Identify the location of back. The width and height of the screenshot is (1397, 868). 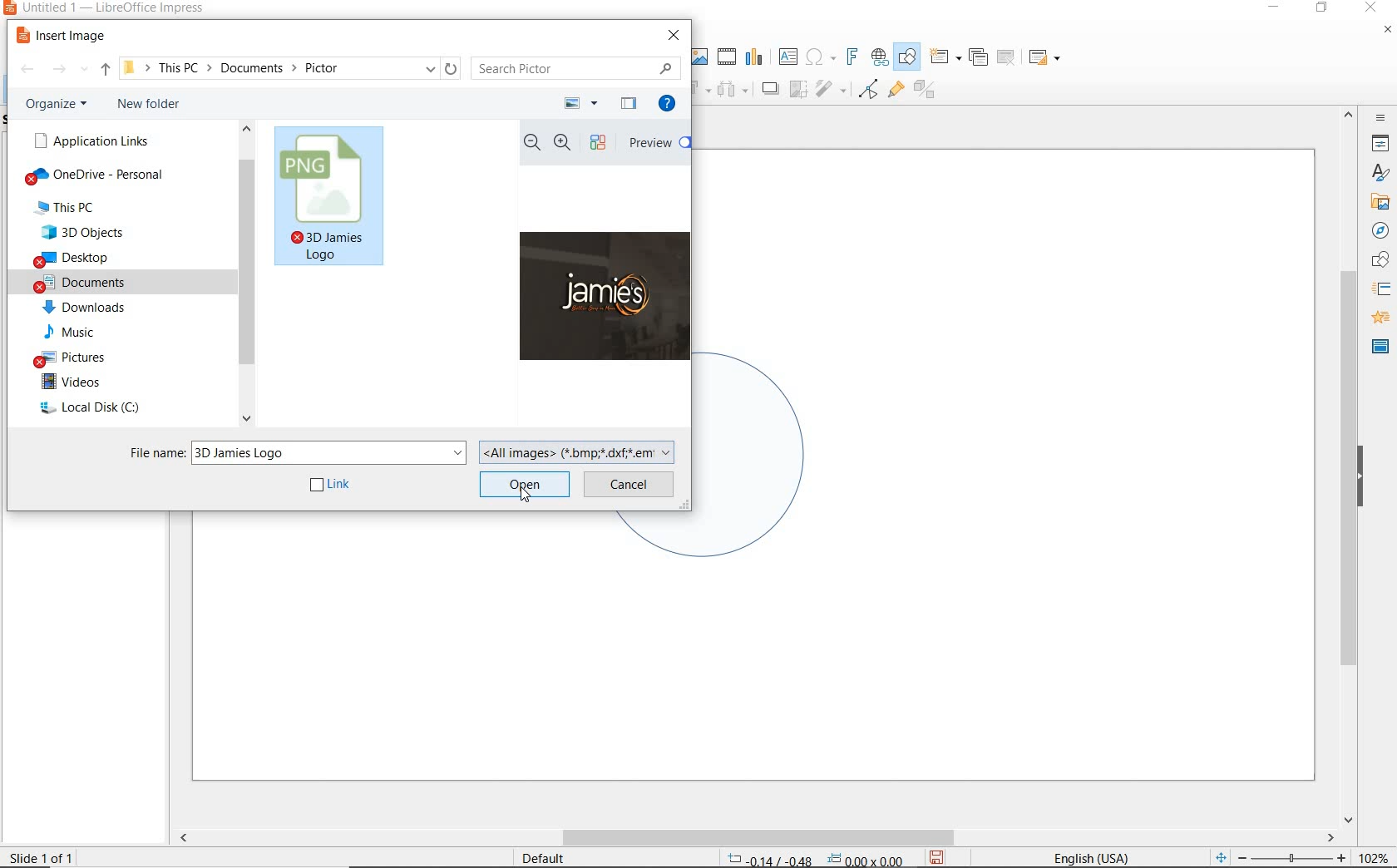
(27, 71).